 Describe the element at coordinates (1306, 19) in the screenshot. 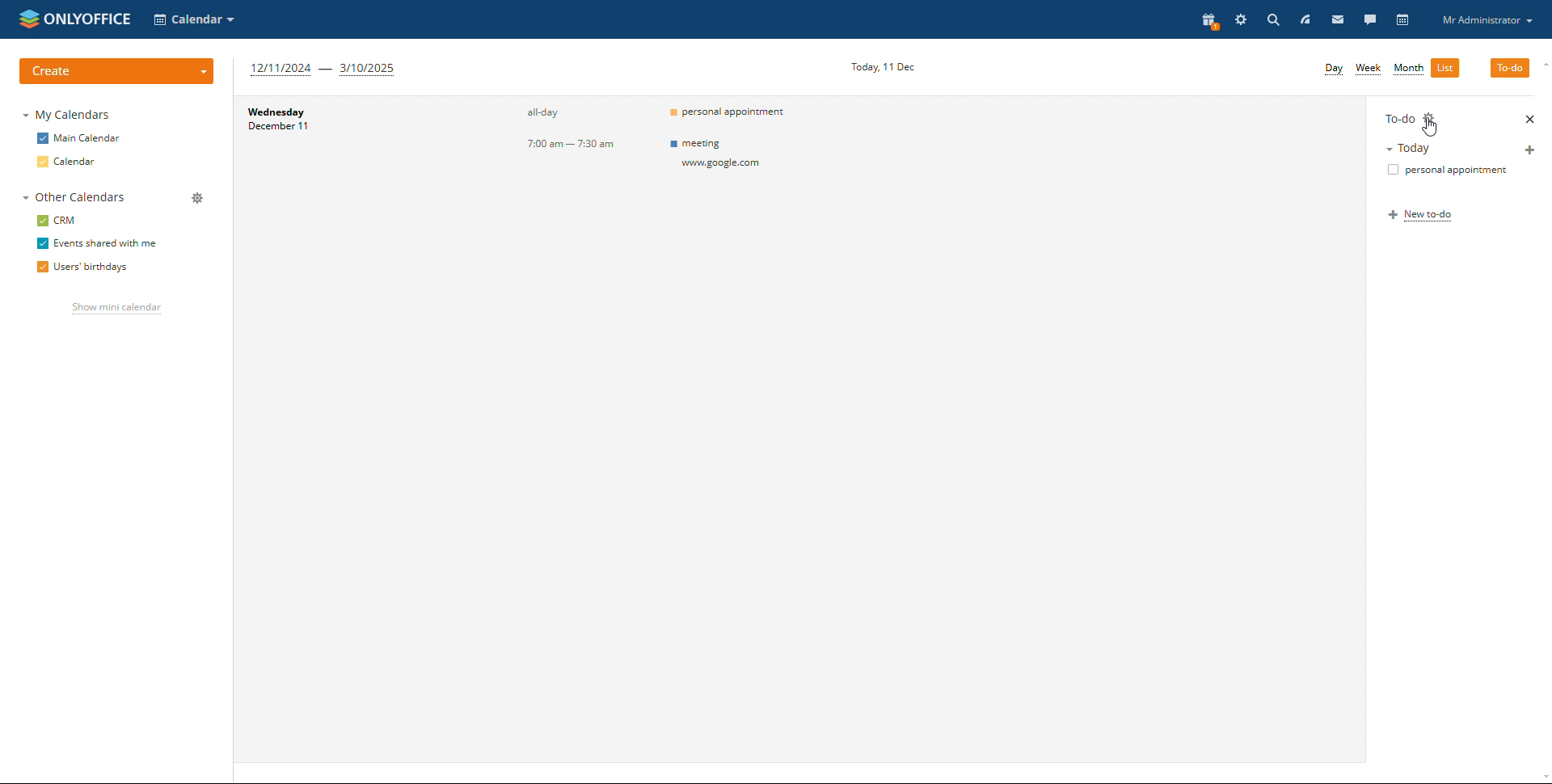

I see `feed` at that location.